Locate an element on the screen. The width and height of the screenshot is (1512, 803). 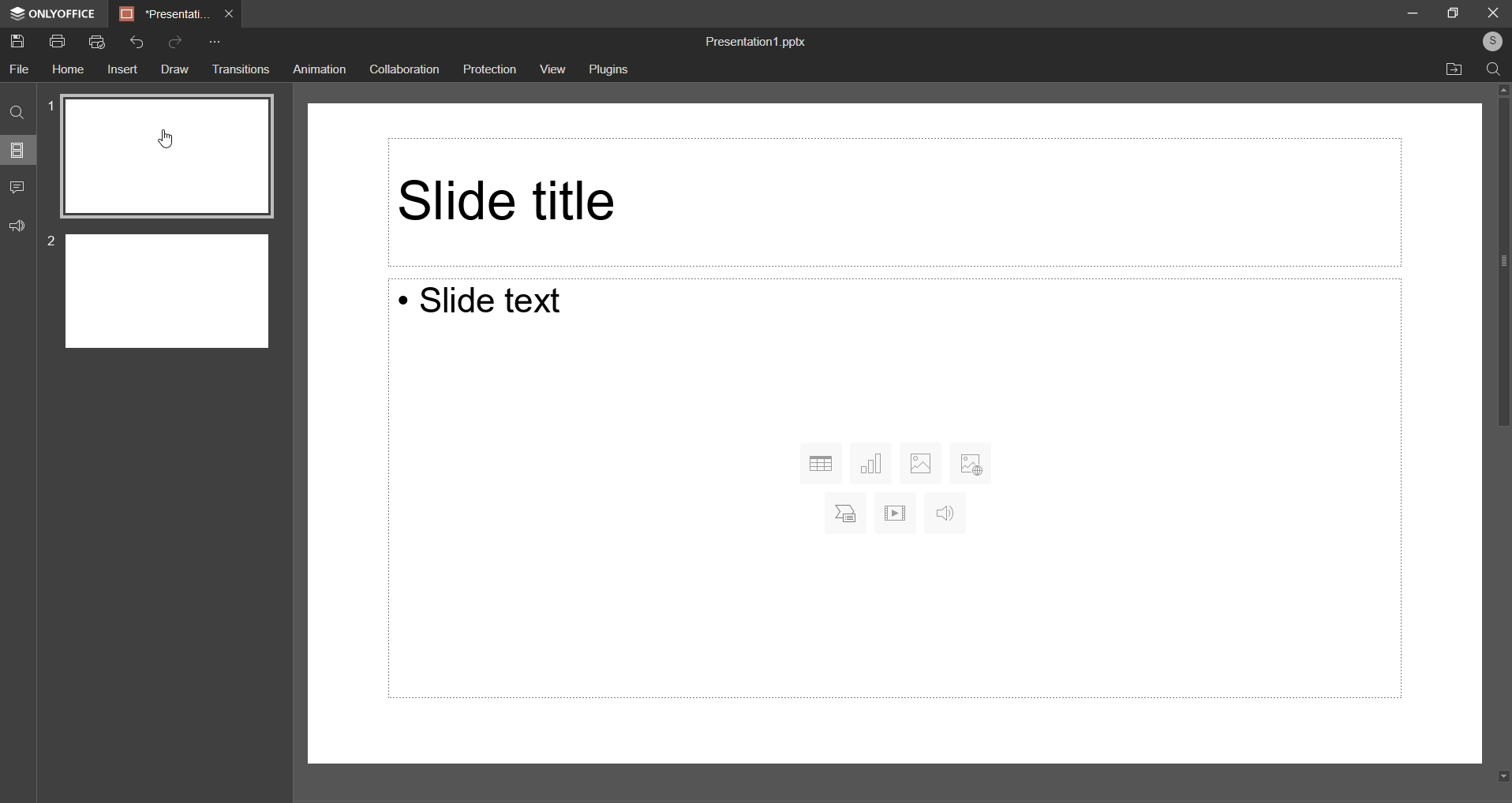
View is located at coordinates (552, 69).